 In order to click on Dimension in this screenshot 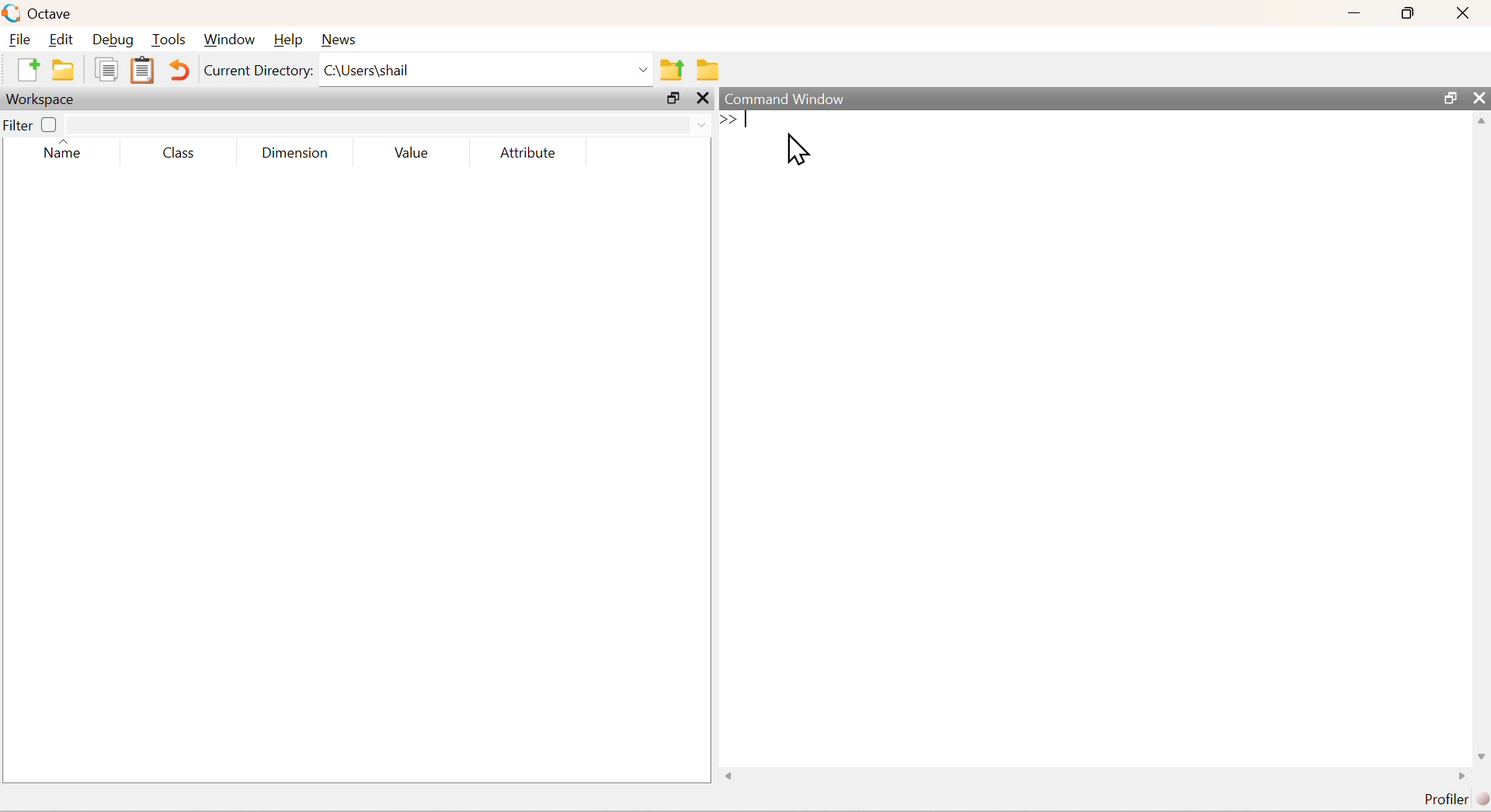, I will do `click(300, 151)`.